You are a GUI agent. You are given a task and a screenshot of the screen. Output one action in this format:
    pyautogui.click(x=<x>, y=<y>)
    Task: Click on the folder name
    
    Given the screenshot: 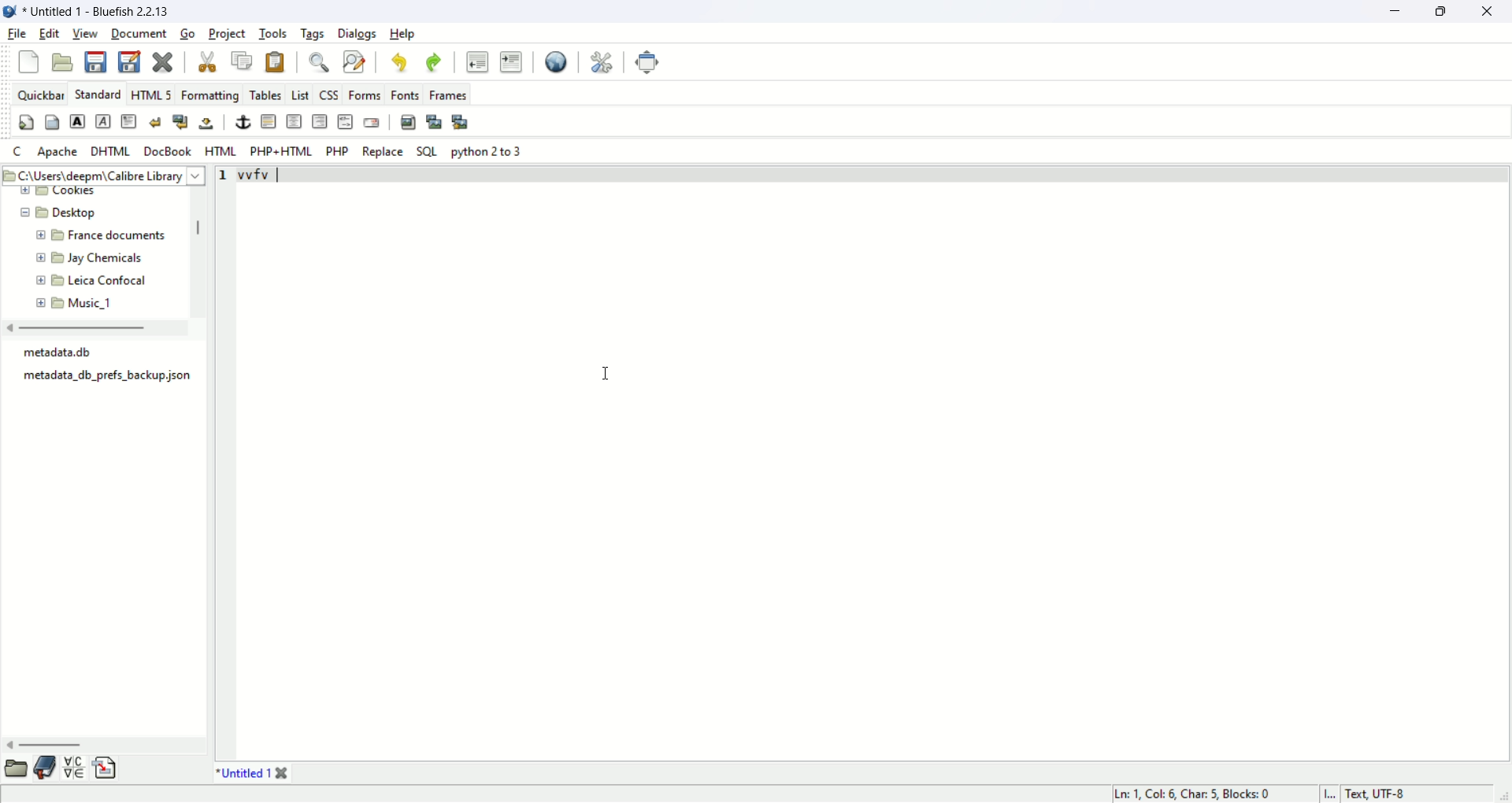 What is the action you would take?
    pyautogui.click(x=83, y=212)
    